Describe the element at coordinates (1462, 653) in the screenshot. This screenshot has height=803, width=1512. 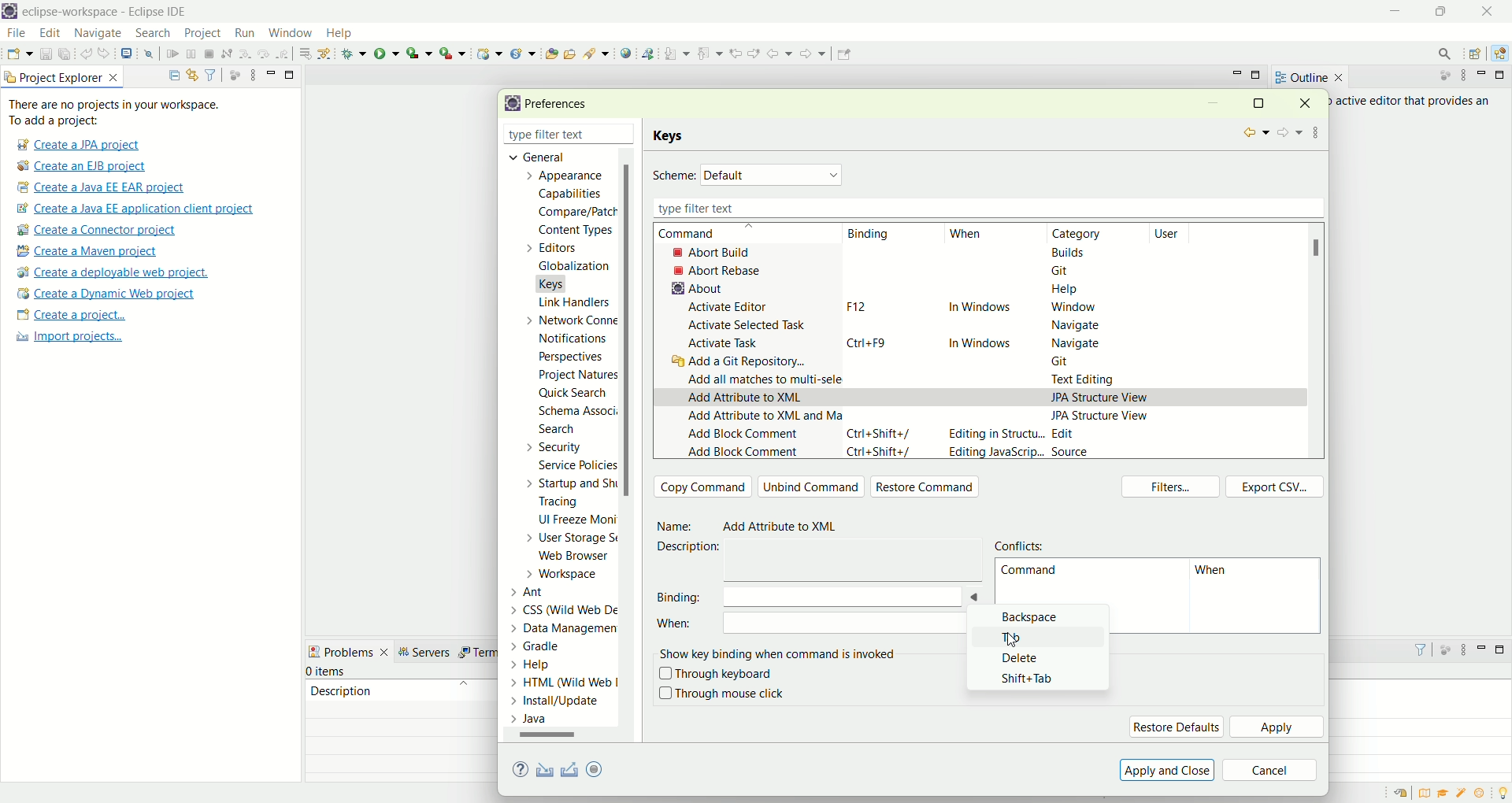
I see `view menu` at that location.